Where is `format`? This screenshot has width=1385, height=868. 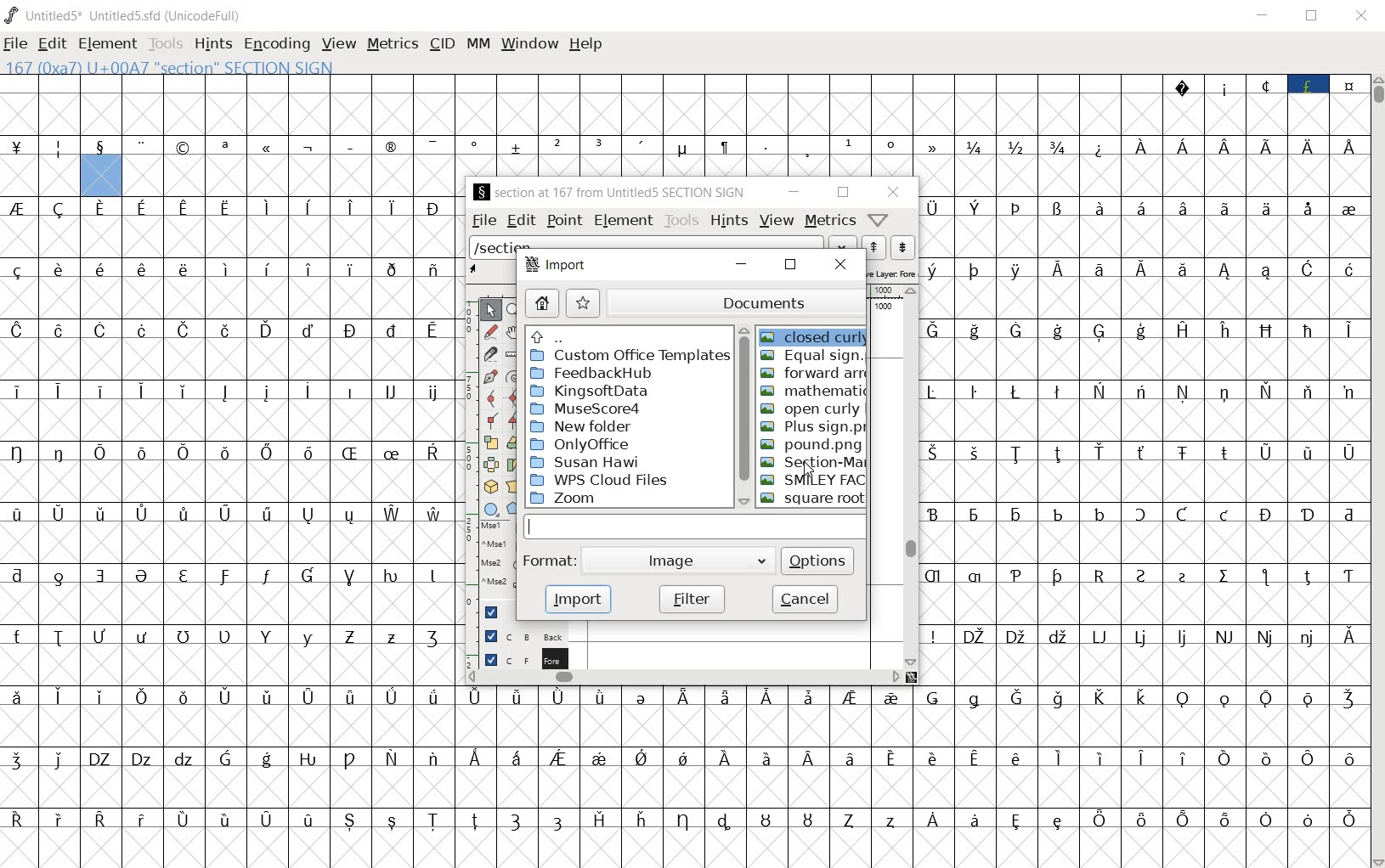
format is located at coordinates (550, 559).